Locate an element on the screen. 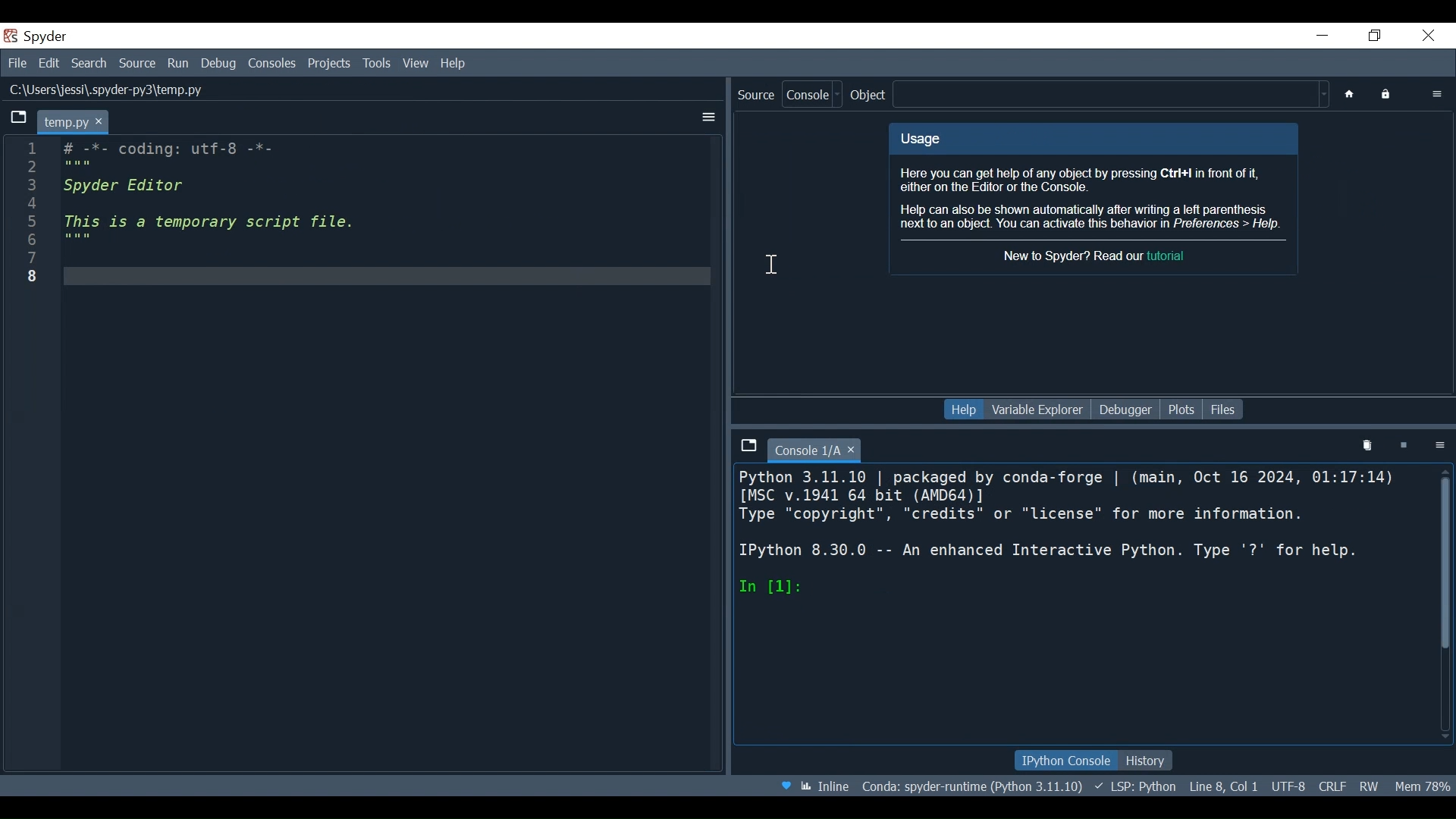 The width and height of the screenshot is (1456, 819). Options is located at coordinates (1437, 445).